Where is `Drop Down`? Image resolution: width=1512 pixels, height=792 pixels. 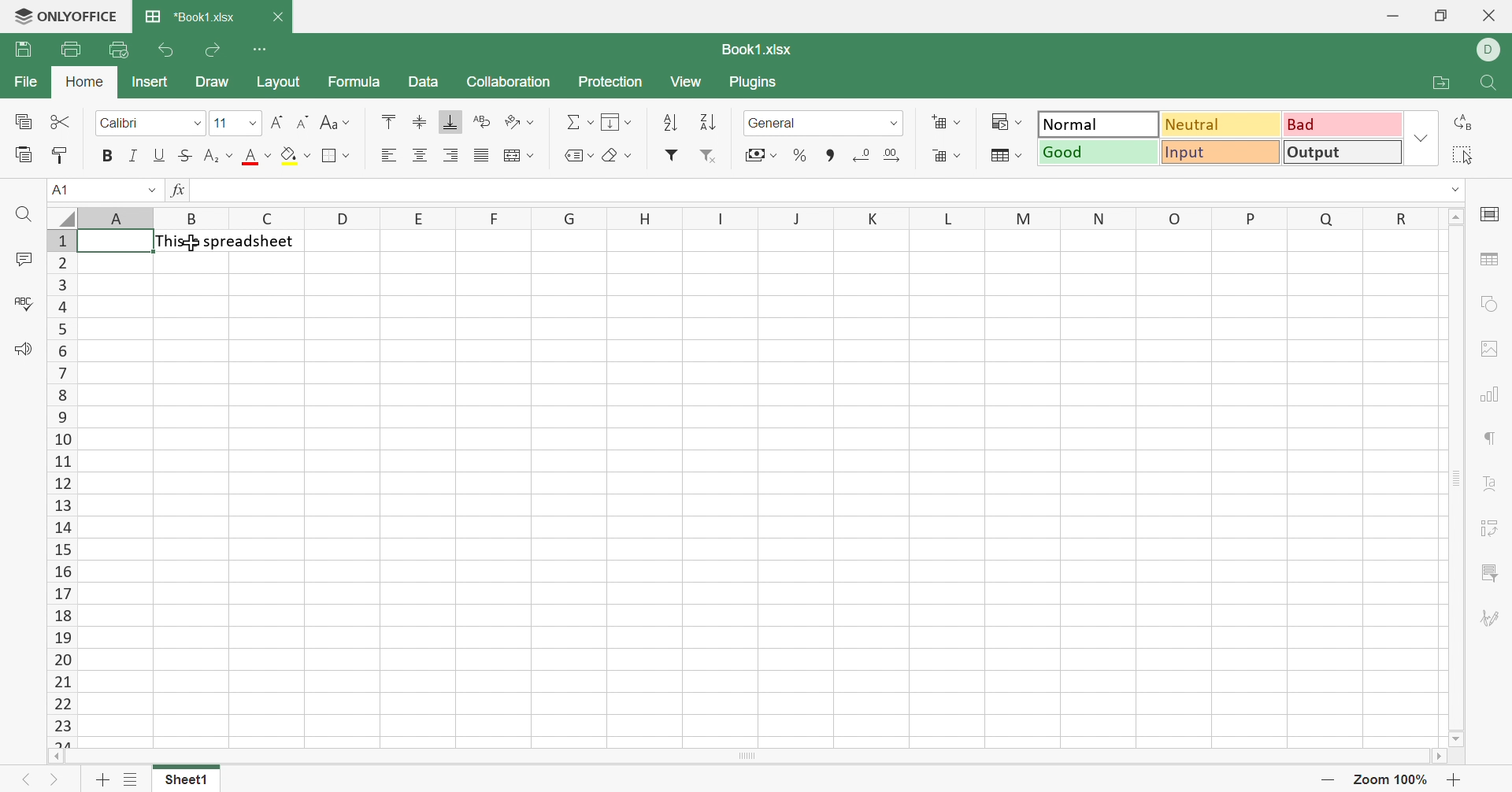
Drop Down is located at coordinates (958, 124).